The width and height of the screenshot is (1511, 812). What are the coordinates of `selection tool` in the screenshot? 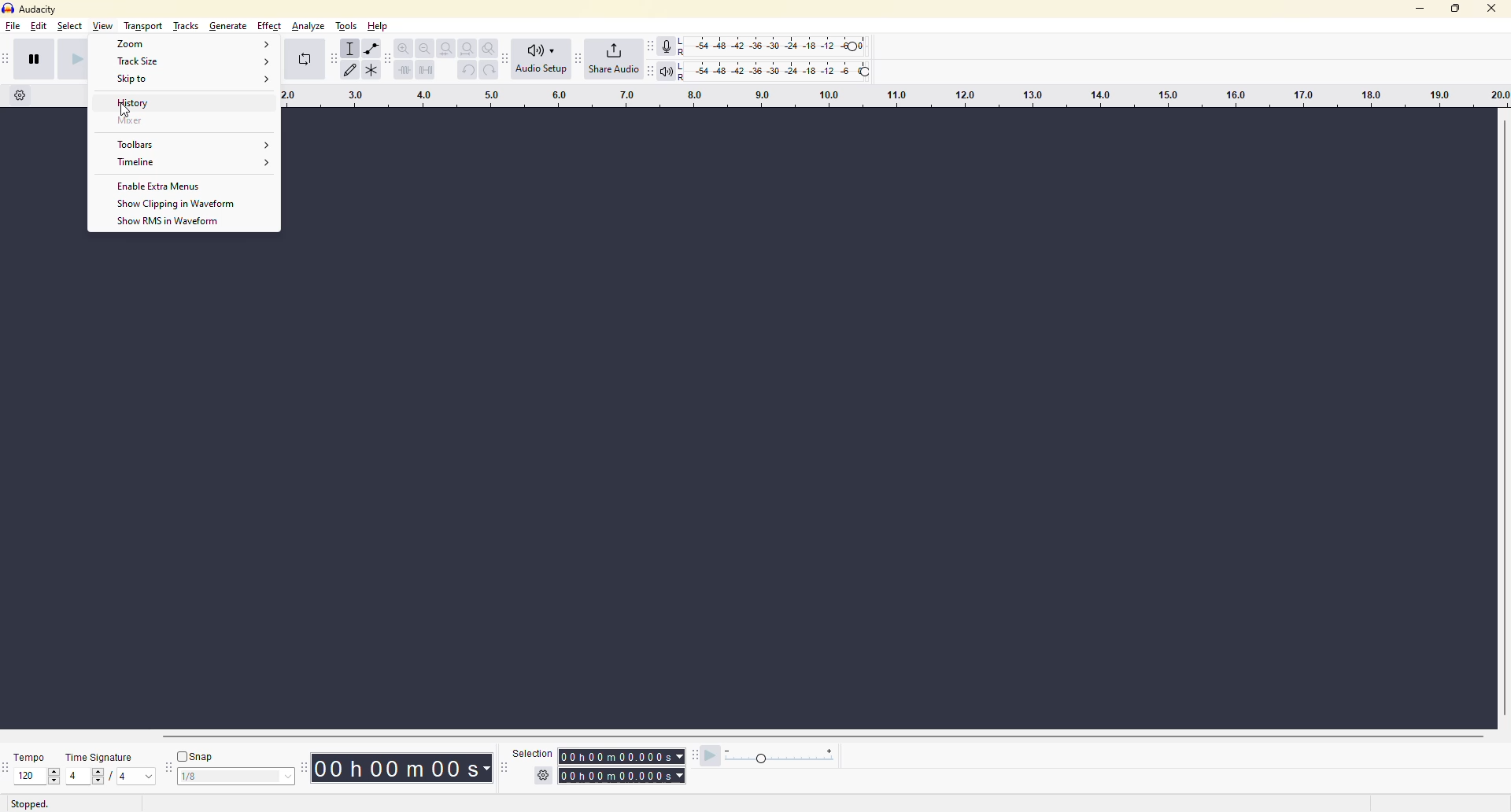 It's located at (352, 49).